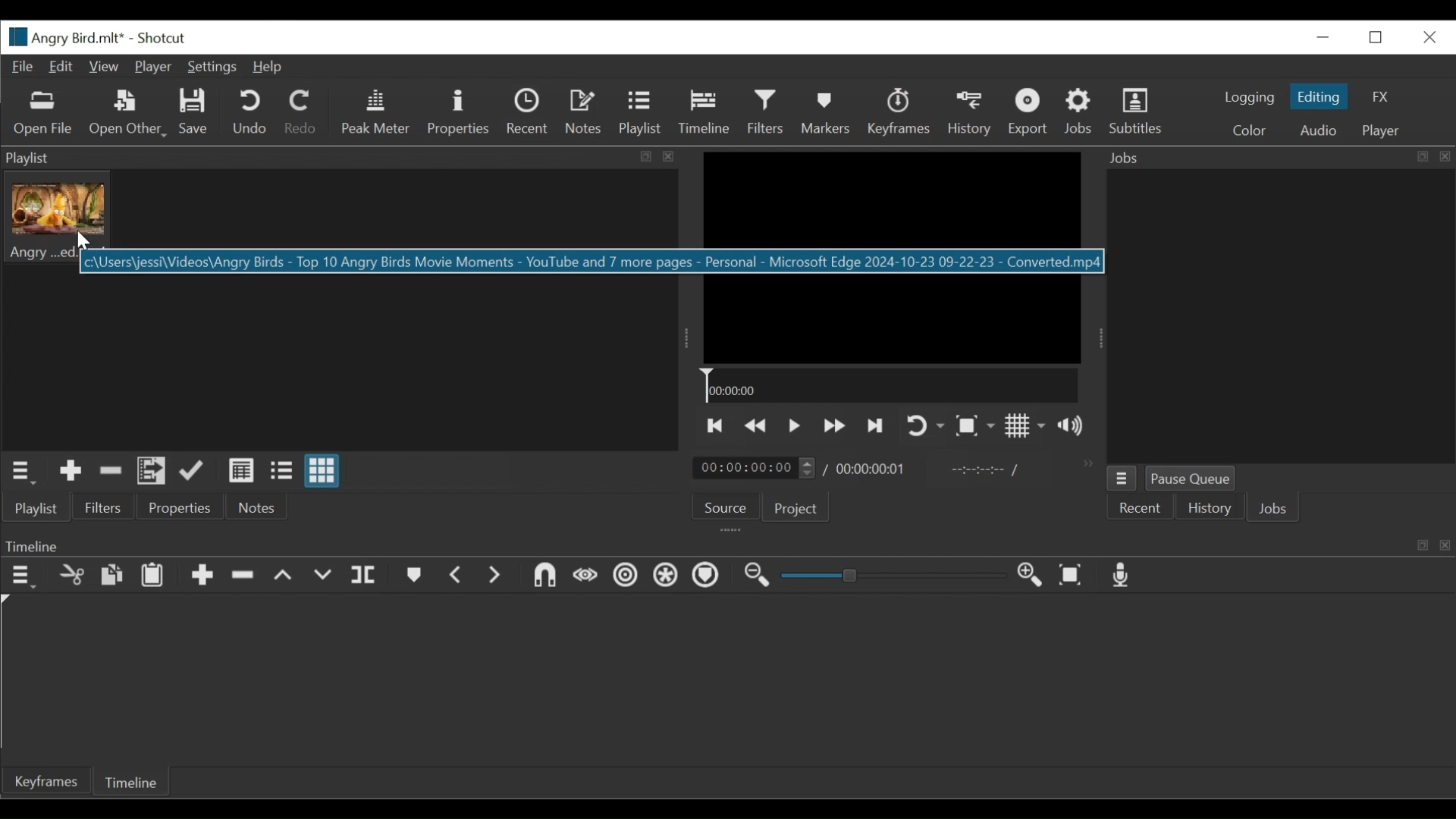  Describe the element at coordinates (715, 425) in the screenshot. I see `Skip to the previous point` at that location.